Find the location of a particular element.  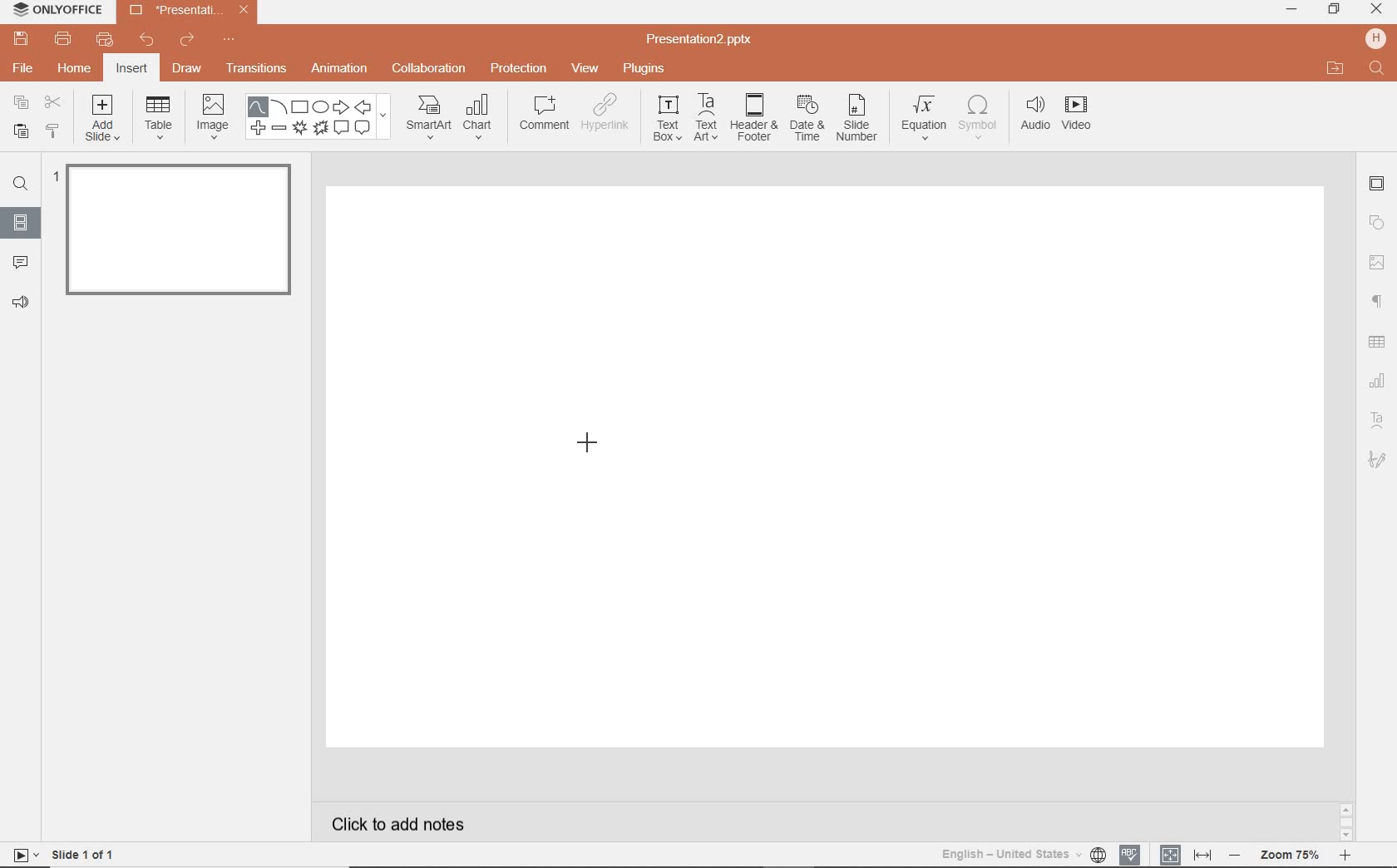

EQUATION is located at coordinates (924, 116).